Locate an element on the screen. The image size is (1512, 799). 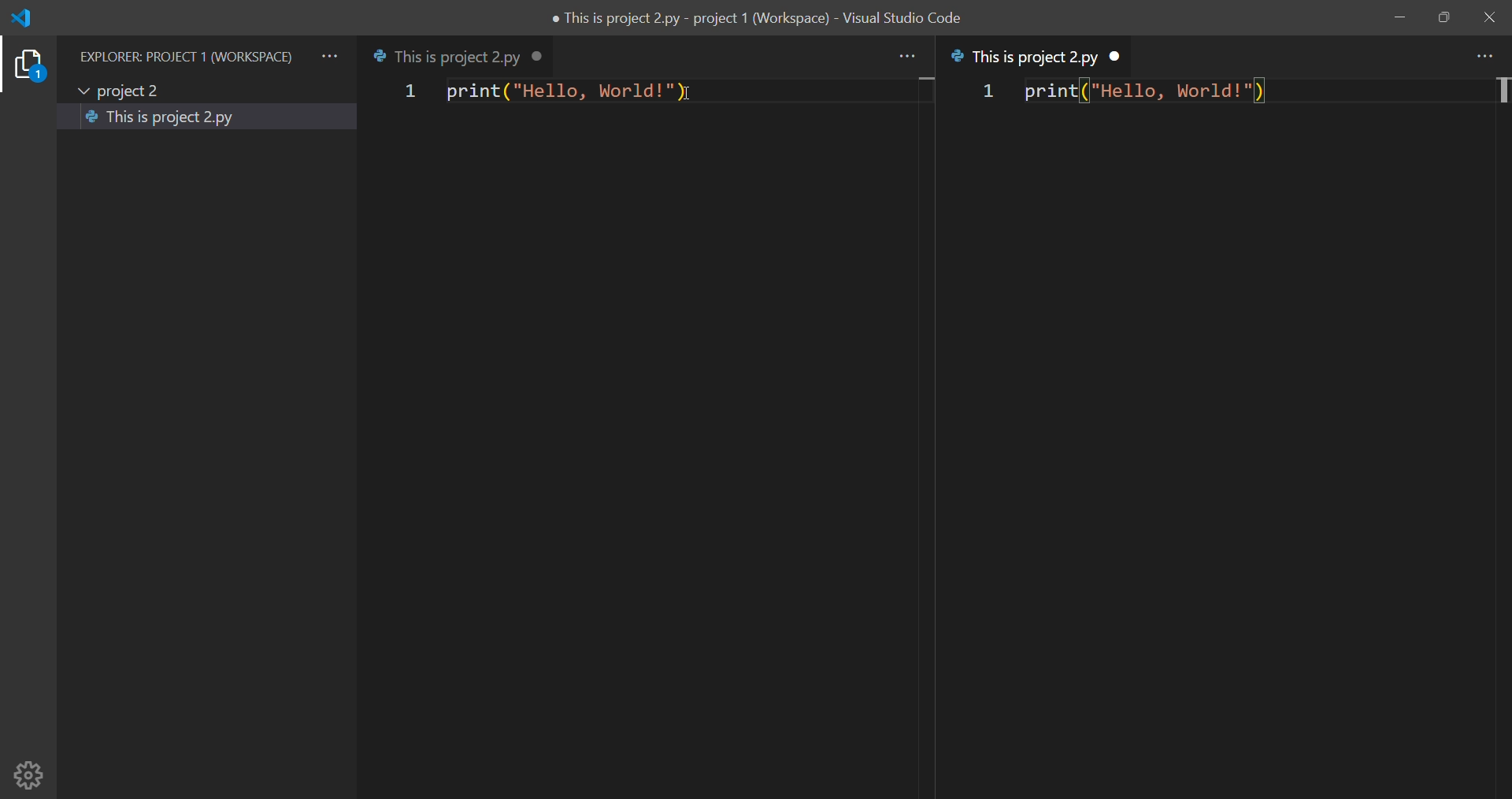
new editor group is located at coordinates (1227, 477).